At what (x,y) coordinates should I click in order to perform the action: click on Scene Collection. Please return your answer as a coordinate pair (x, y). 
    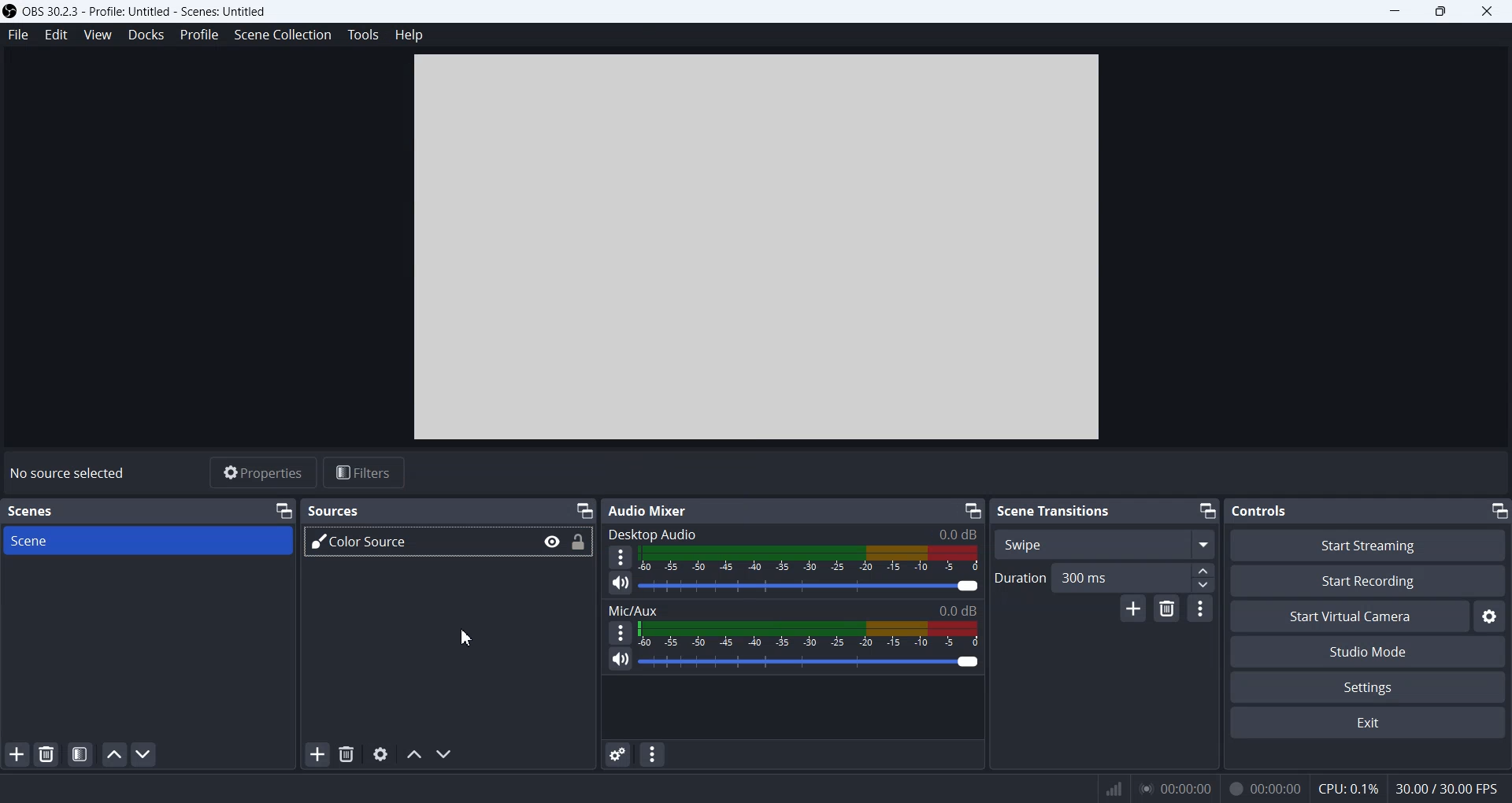
    Looking at the image, I should click on (283, 35).